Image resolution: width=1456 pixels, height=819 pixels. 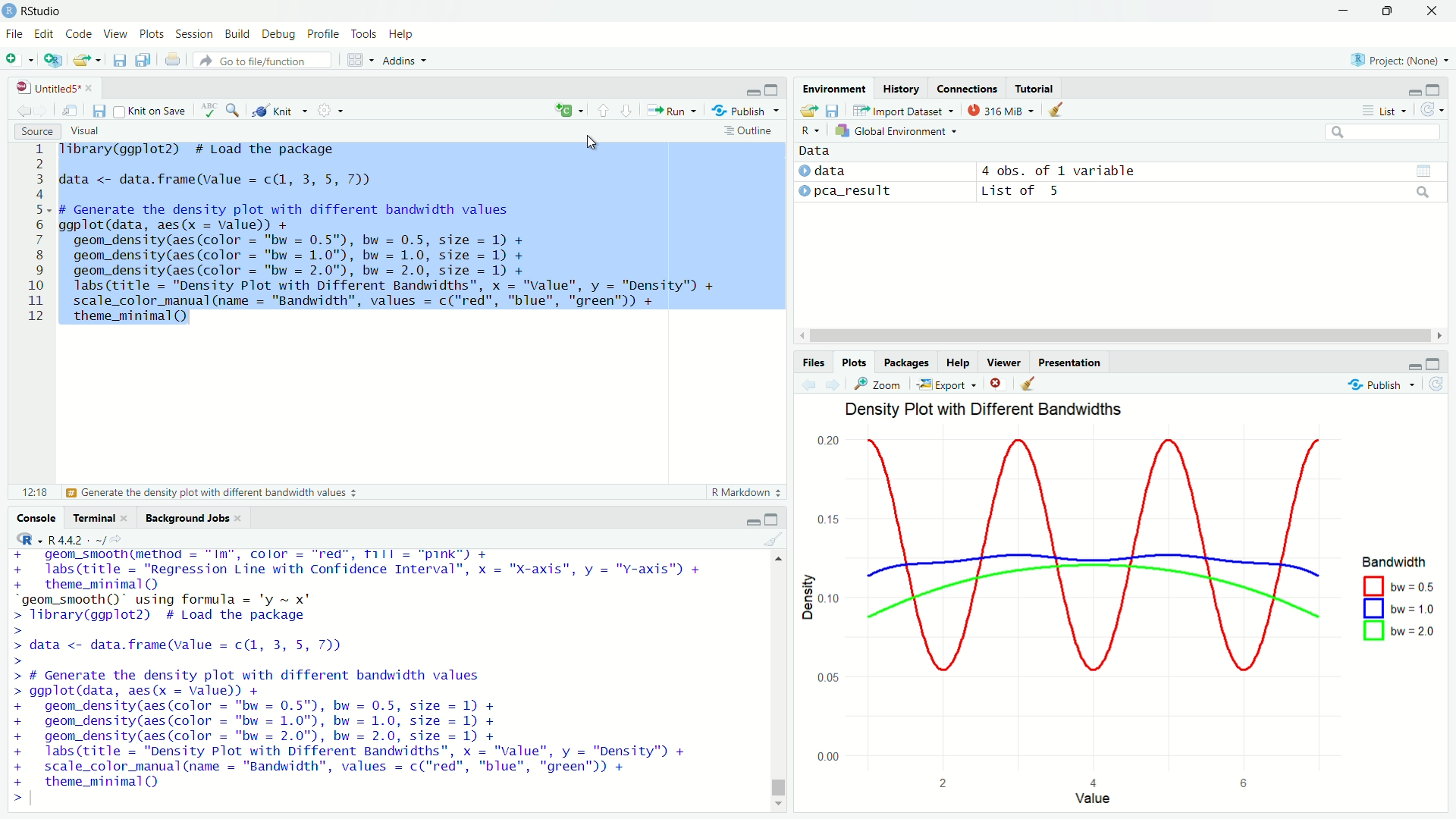 What do you see at coordinates (1385, 110) in the screenshot?
I see `List` at bounding box center [1385, 110].